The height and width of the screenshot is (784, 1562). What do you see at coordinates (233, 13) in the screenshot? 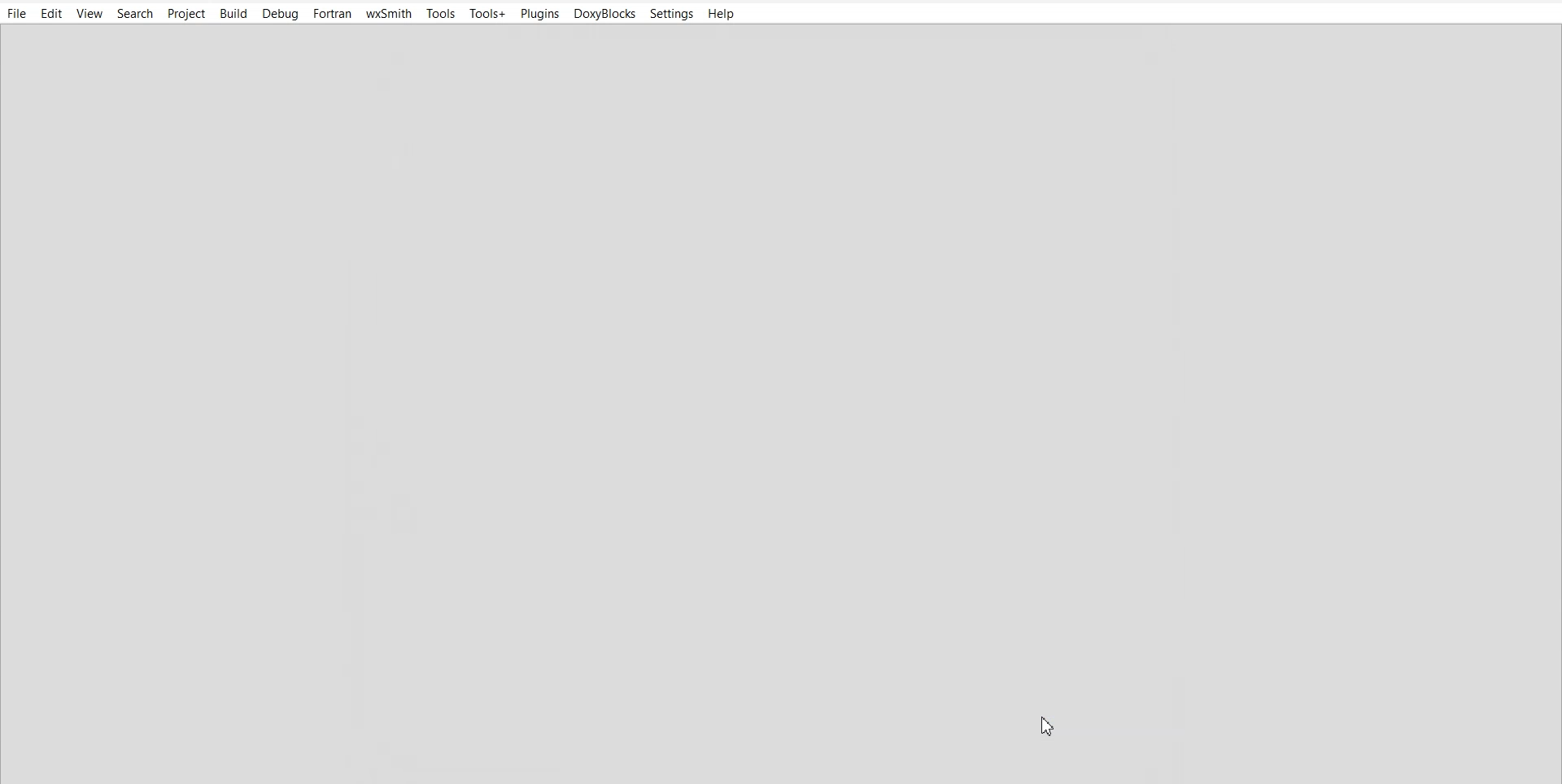
I see `Build` at bounding box center [233, 13].